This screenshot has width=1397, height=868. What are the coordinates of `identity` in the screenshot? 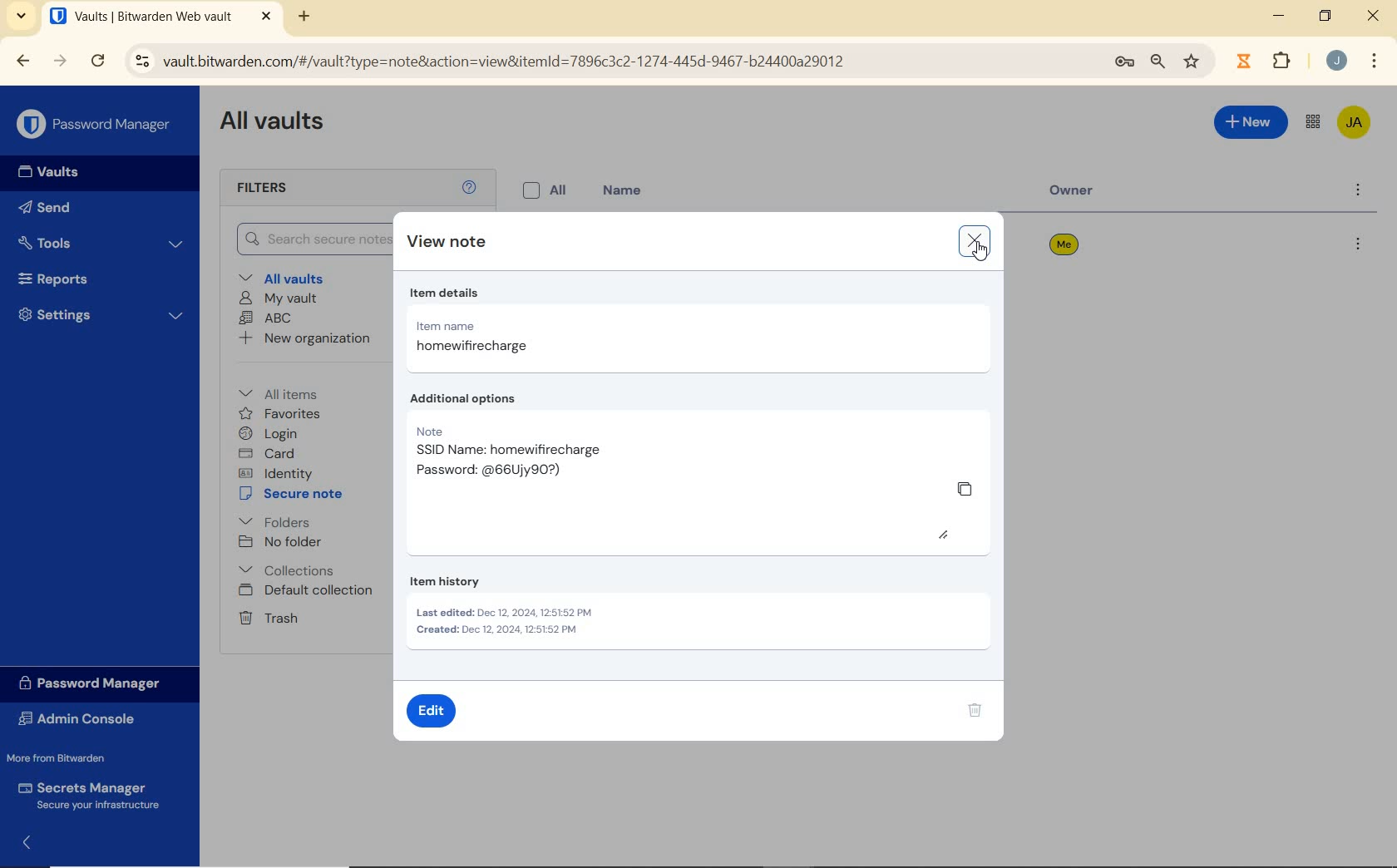 It's located at (275, 472).